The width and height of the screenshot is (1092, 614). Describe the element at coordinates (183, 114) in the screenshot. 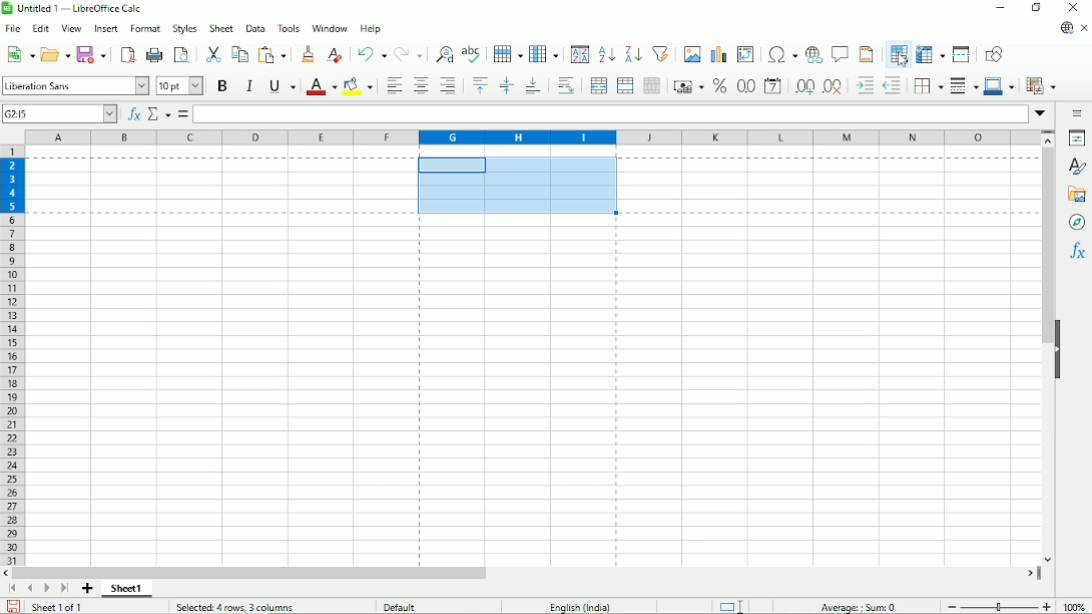

I see `Formula` at that location.